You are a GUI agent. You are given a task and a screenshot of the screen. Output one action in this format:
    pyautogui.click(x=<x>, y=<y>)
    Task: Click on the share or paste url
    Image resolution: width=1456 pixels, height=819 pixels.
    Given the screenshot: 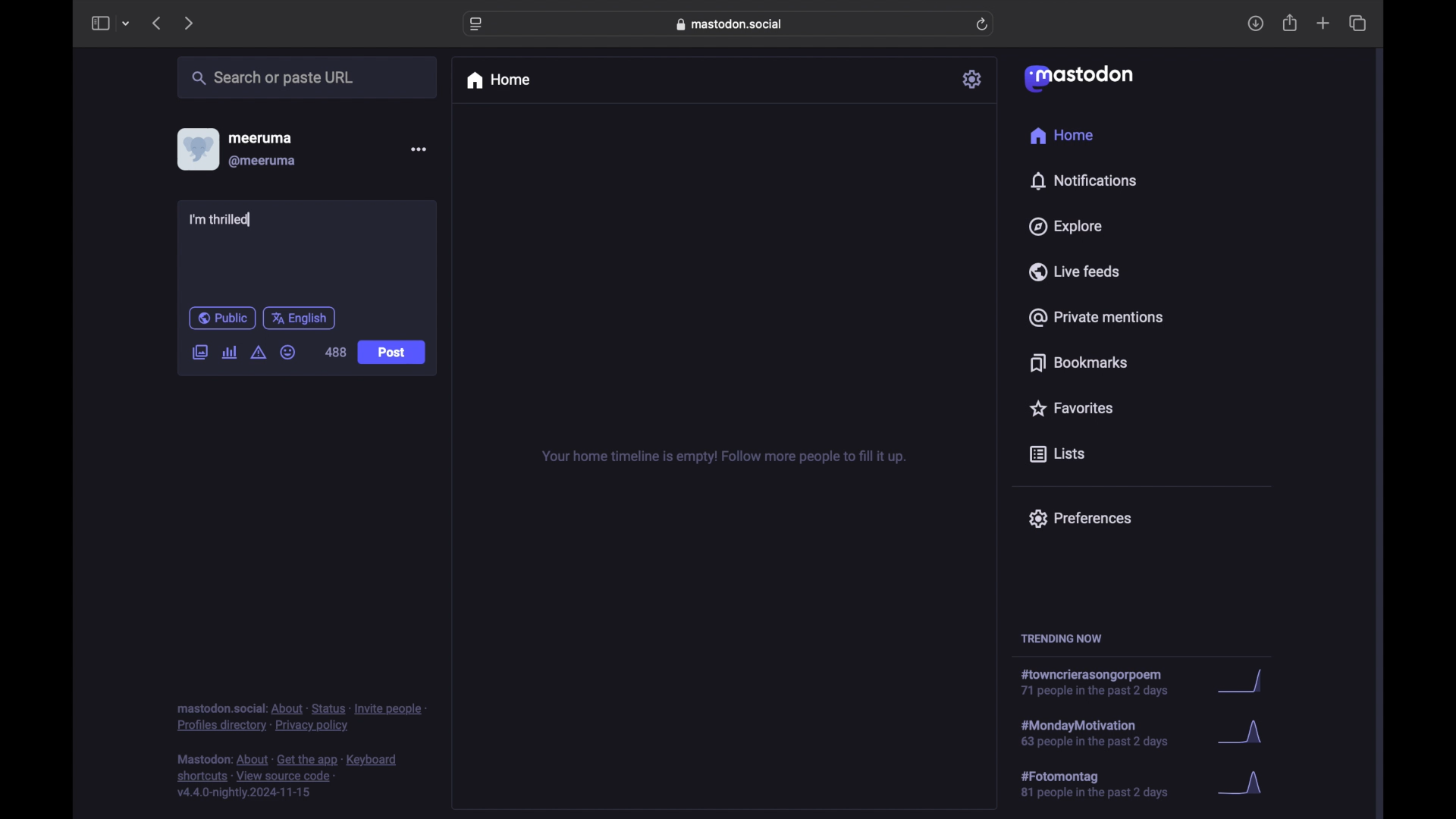 What is the action you would take?
    pyautogui.click(x=273, y=77)
    